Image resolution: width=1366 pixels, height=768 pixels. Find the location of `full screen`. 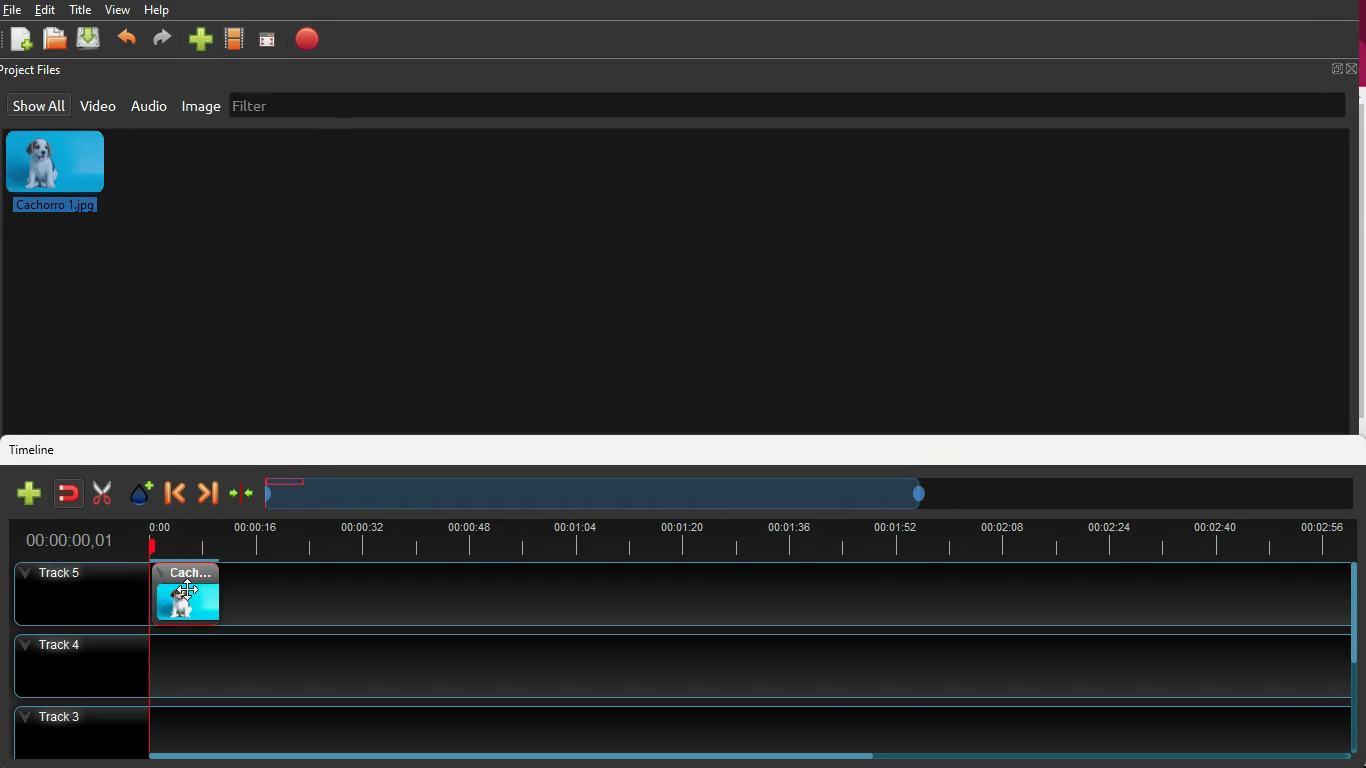

full screen is located at coordinates (1342, 69).